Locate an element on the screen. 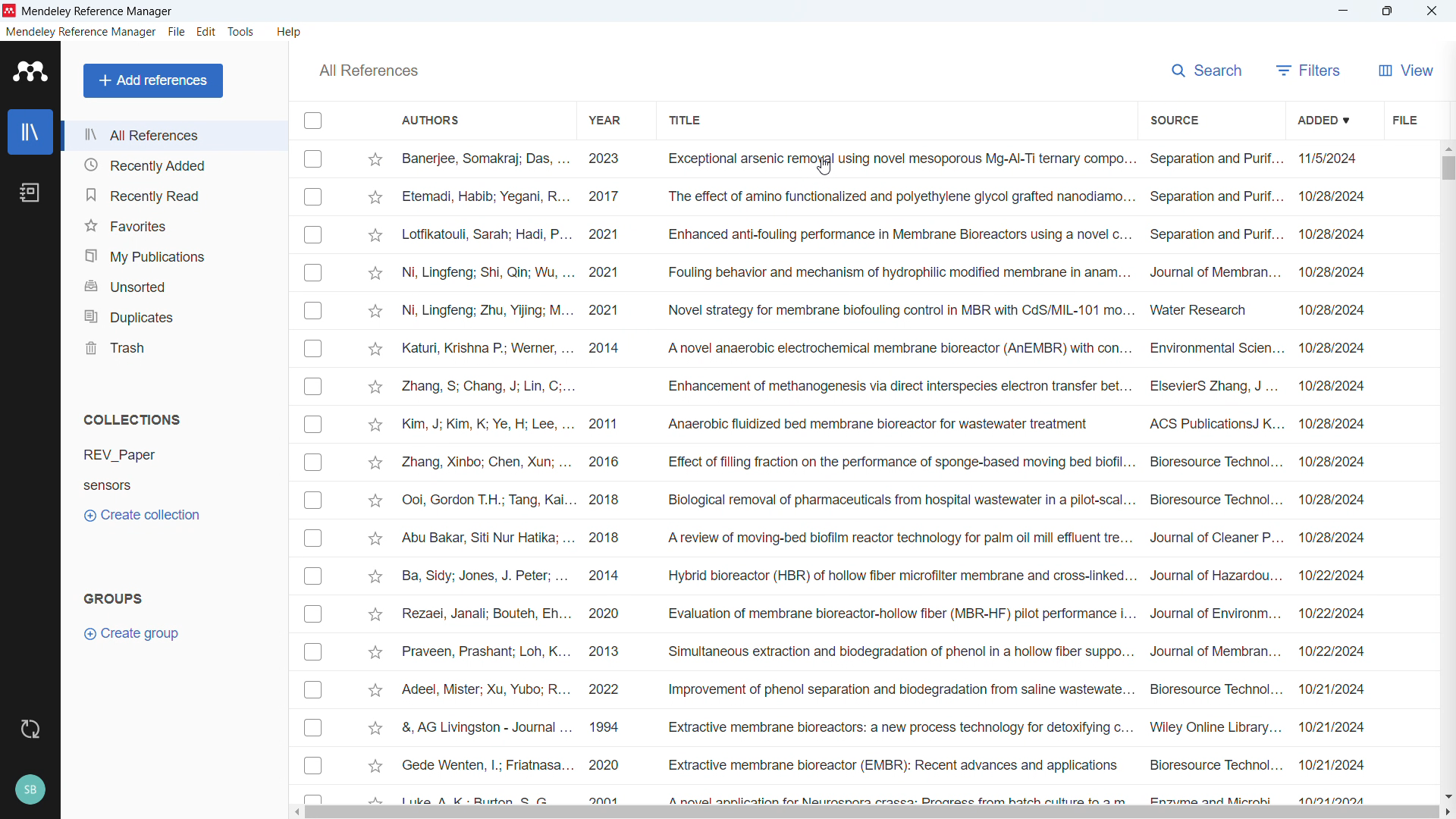 This screenshot has height=819, width=1456. biological removal of pharmaceuticals from hospital wastewater in a pilot-scal is located at coordinates (895, 500).